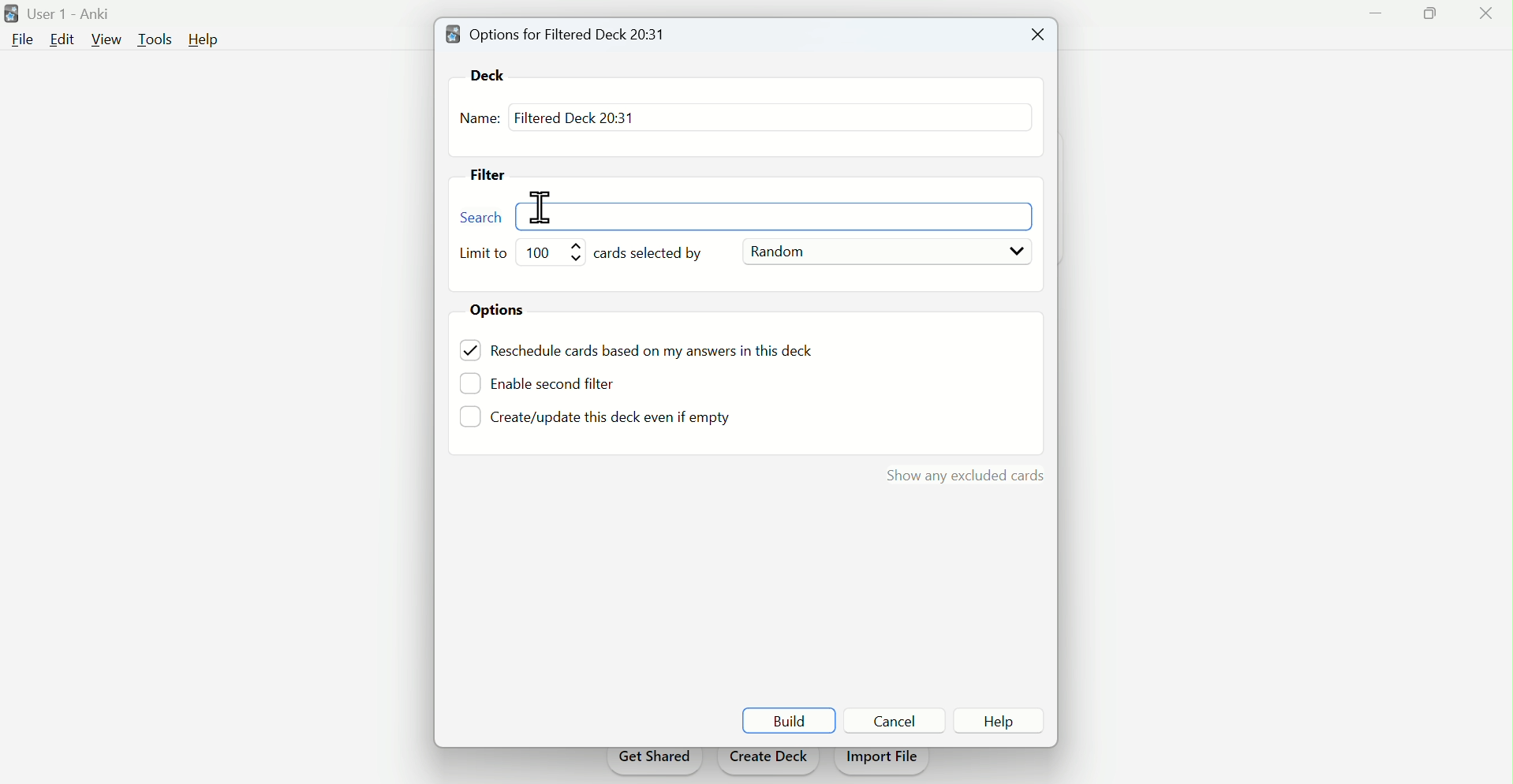 The image size is (1513, 784). I want to click on View, so click(107, 39).